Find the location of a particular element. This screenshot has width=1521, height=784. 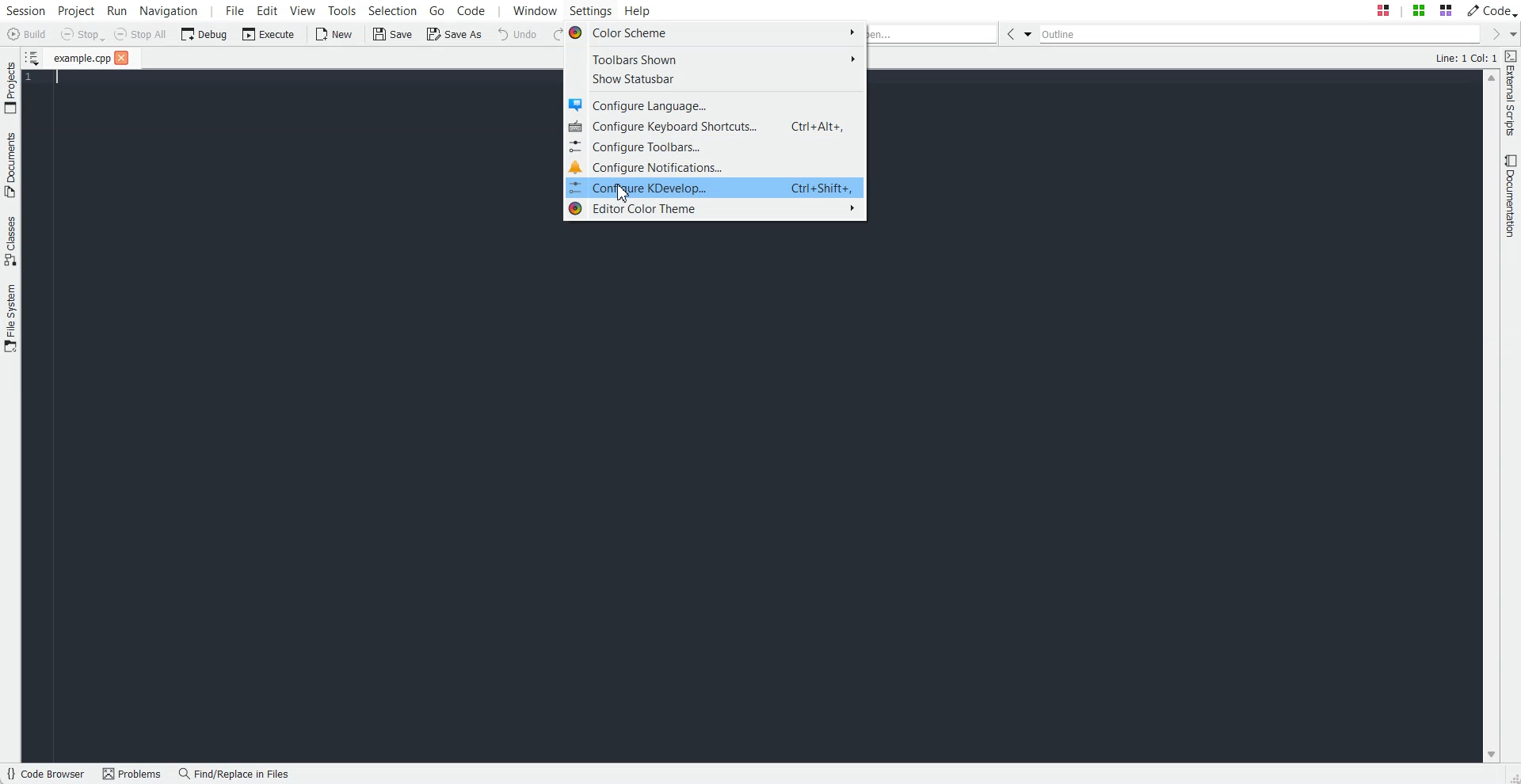

Save As is located at coordinates (452, 33).